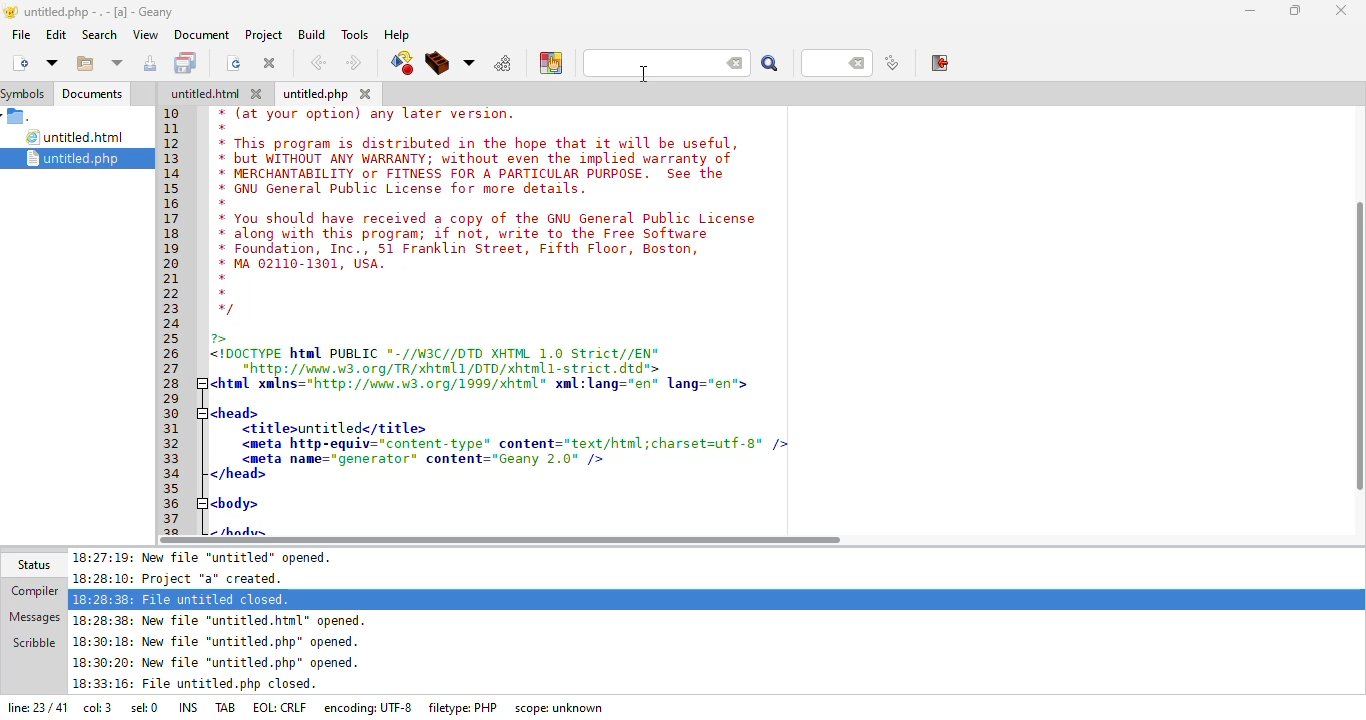 Image resolution: width=1366 pixels, height=720 pixels. What do you see at coordinates (195, 686) in the screenshot?
I see `18:33:16: file untitled.php closed.` at bounding box center [195, 686].